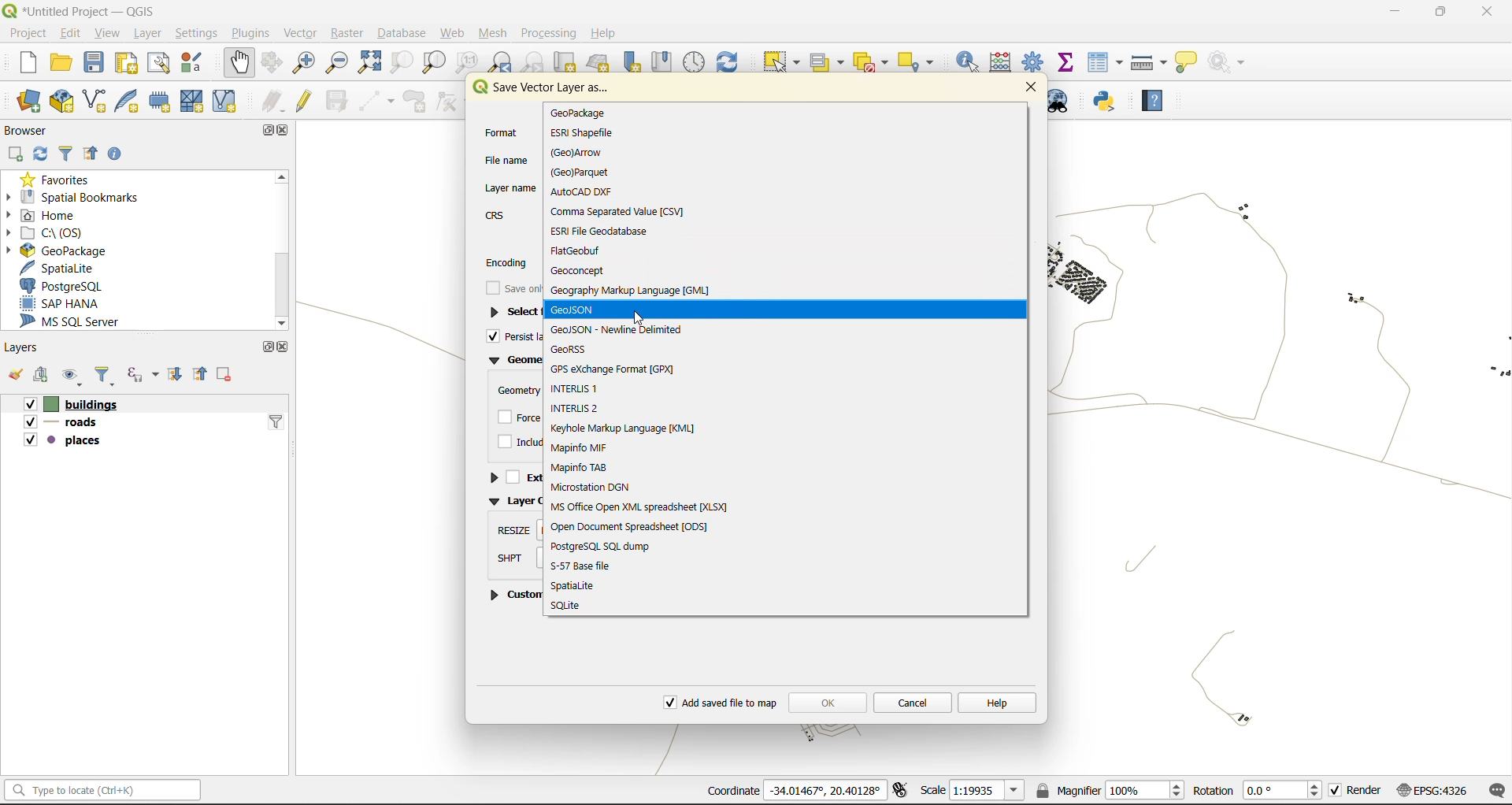 The height and width of the screenshot is (805, 1512). What do you see at coordinates (547, 32) in the screenshot?
I see `processing` at bounding box center [547, 32].